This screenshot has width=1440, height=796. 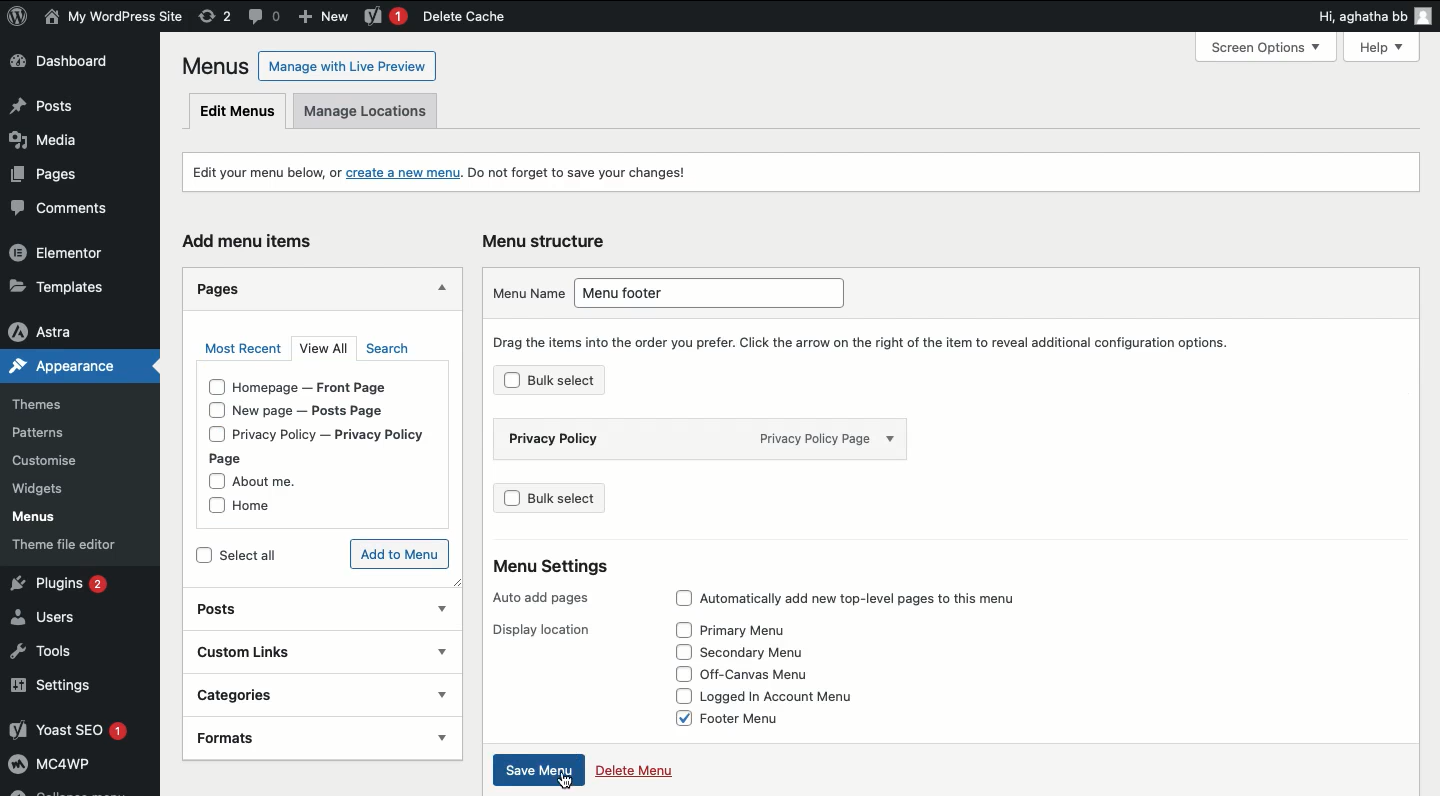 I want to click on show, so click(x=442, y=610).